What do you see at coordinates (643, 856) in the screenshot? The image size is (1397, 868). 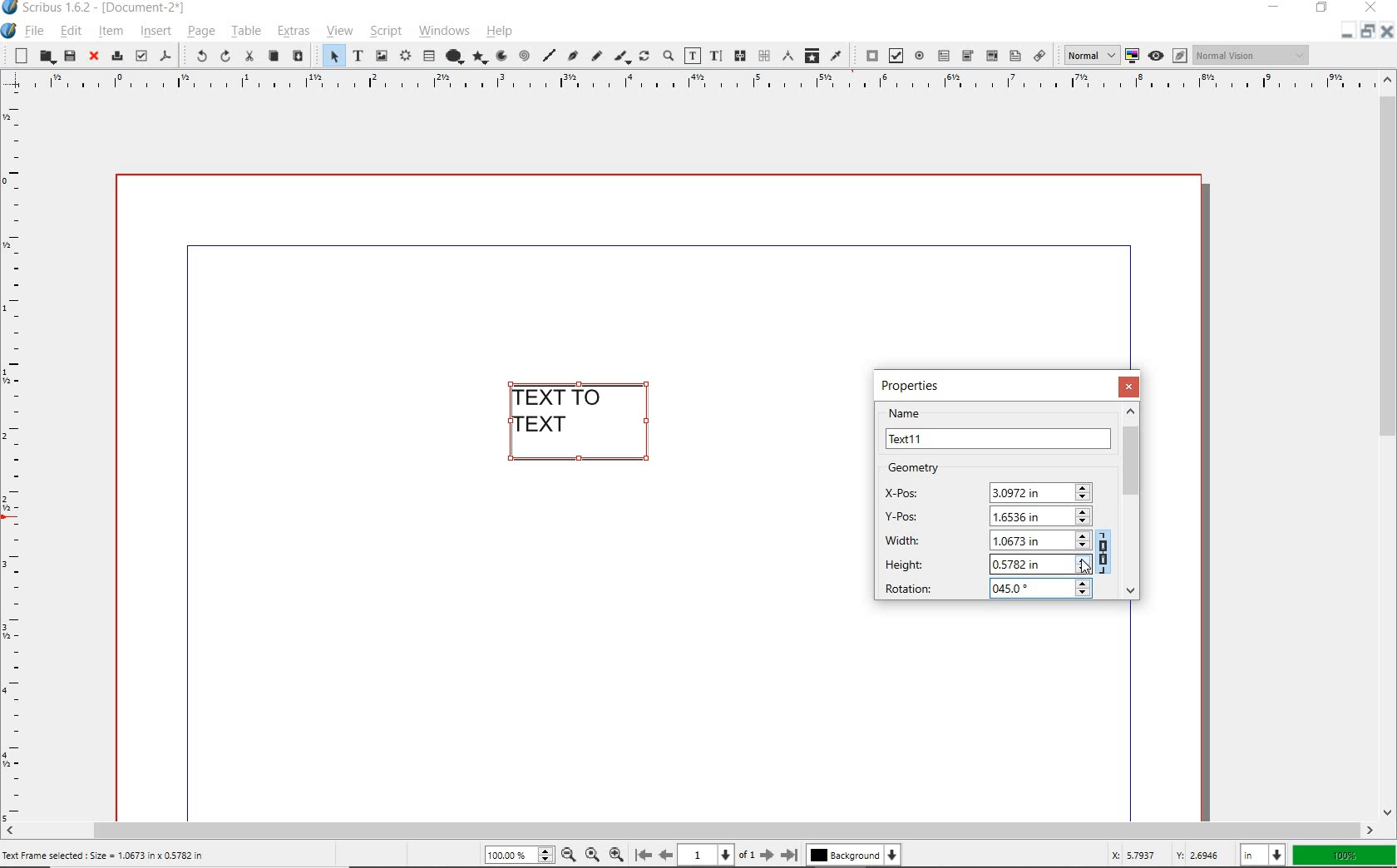 I see `move to first` at bounding box center [643, 856].